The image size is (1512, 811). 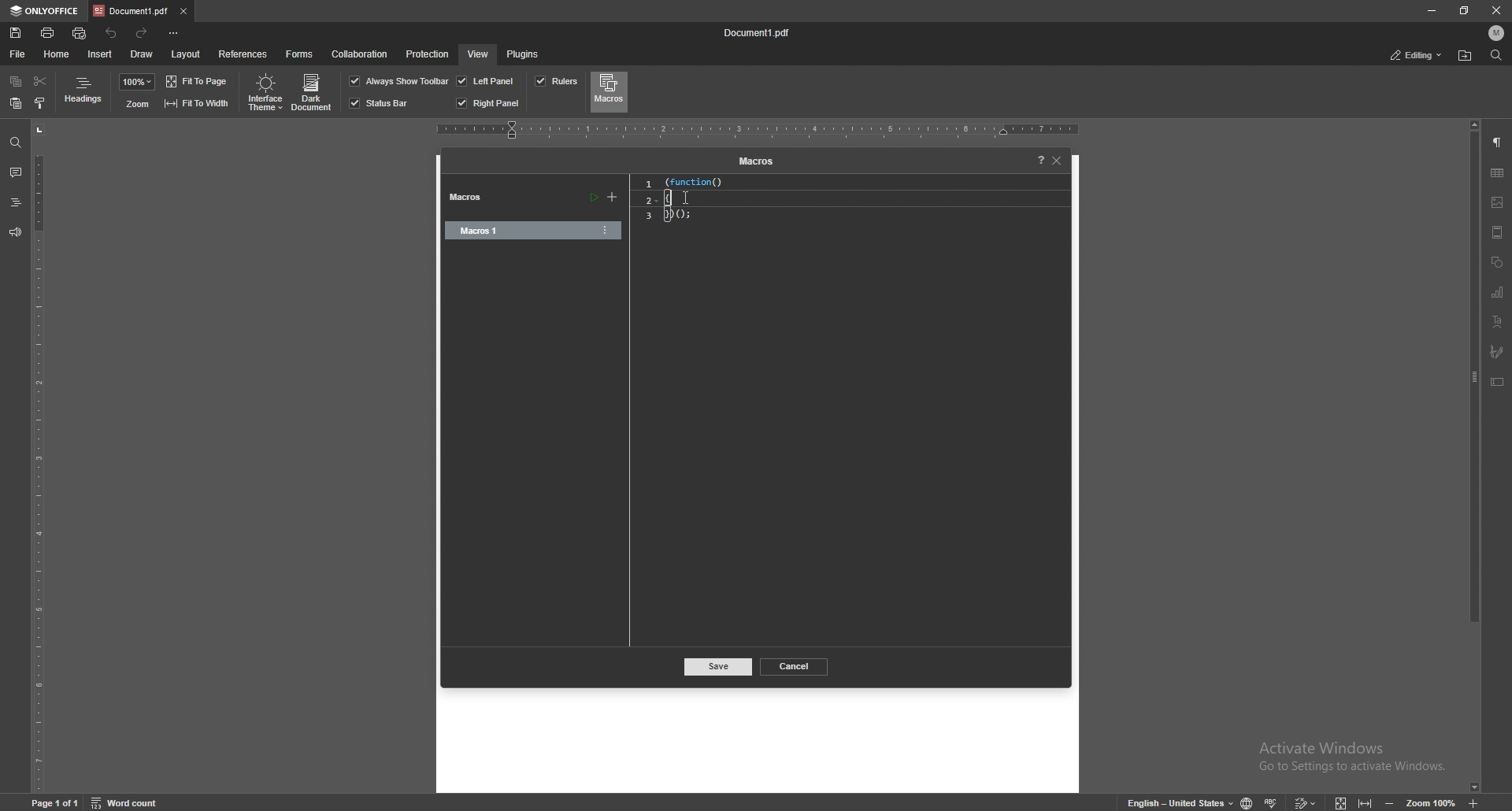 I want to click on text box, so click(x=1498, y=381).